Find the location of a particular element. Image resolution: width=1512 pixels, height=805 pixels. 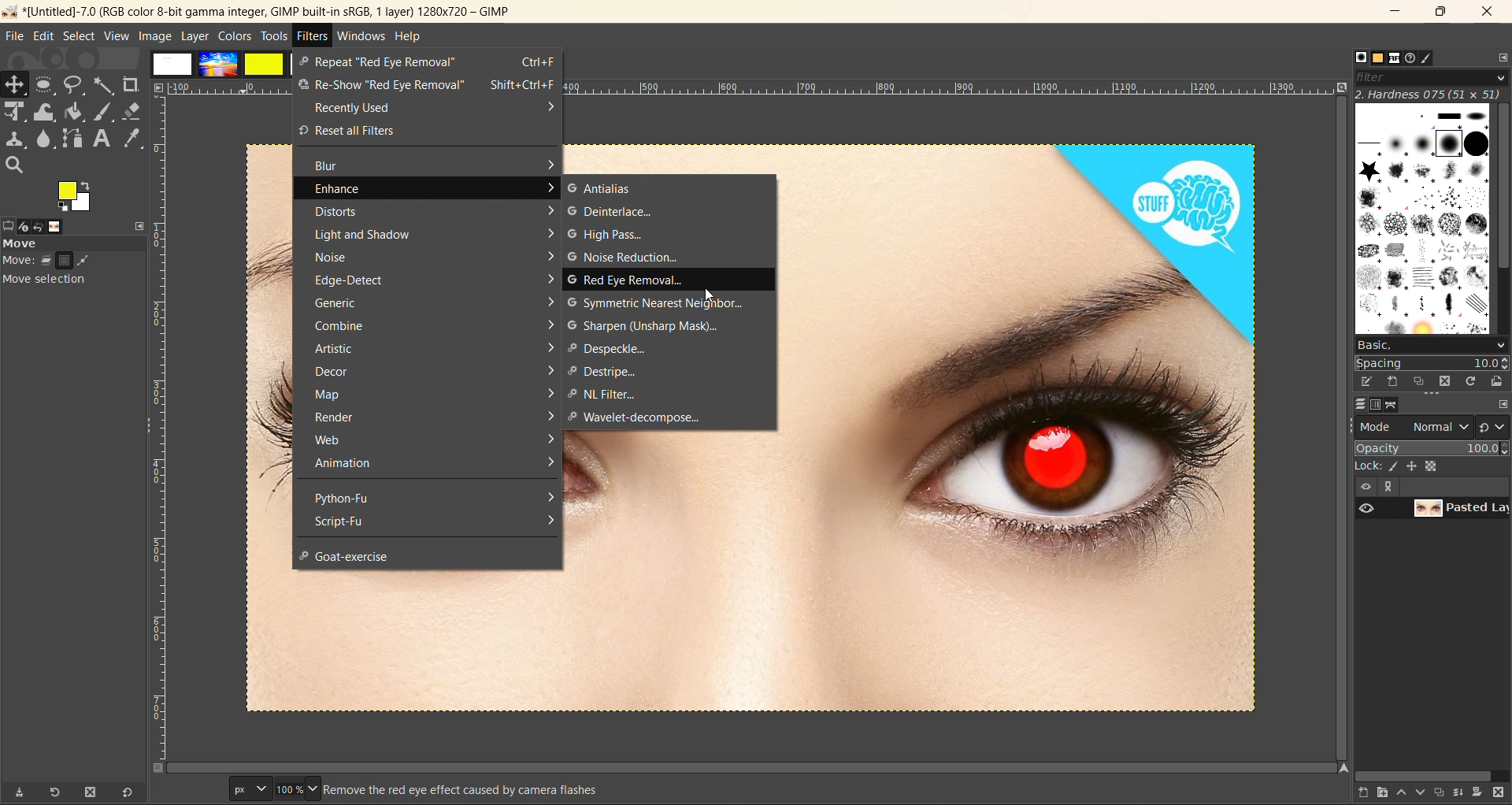

edit brush is located at coordinates (1368, 382).